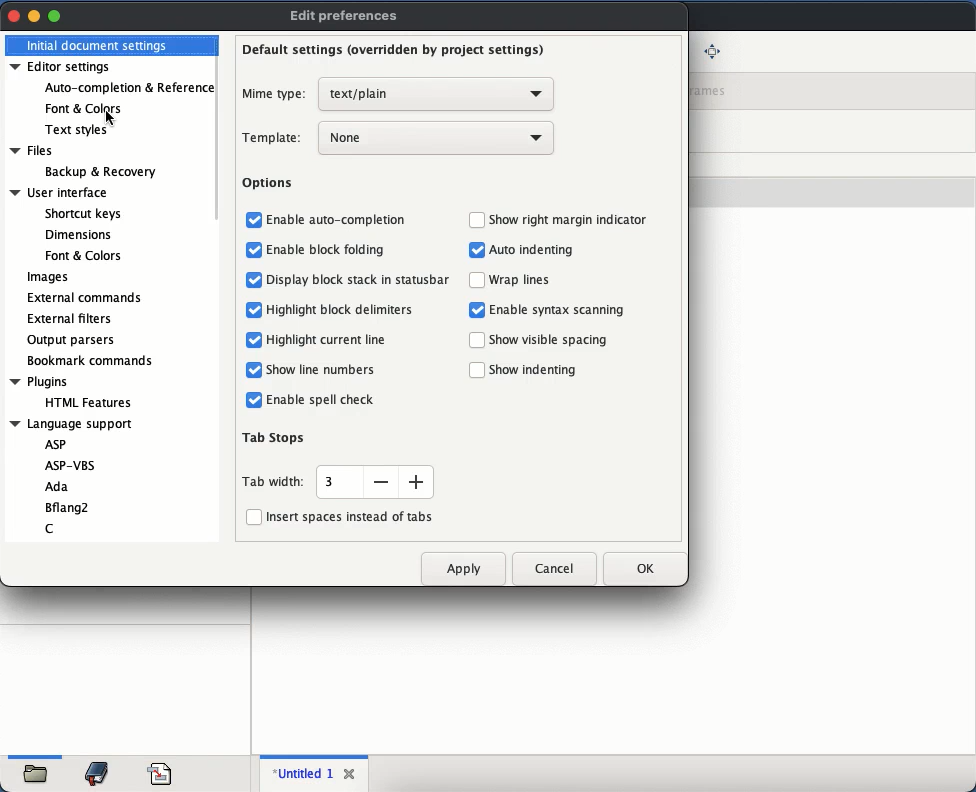 This screenshot has height=792, width=976. Describe the element at coordinates (89, 402) in the screenshot. I see `HTML Features` at that location.